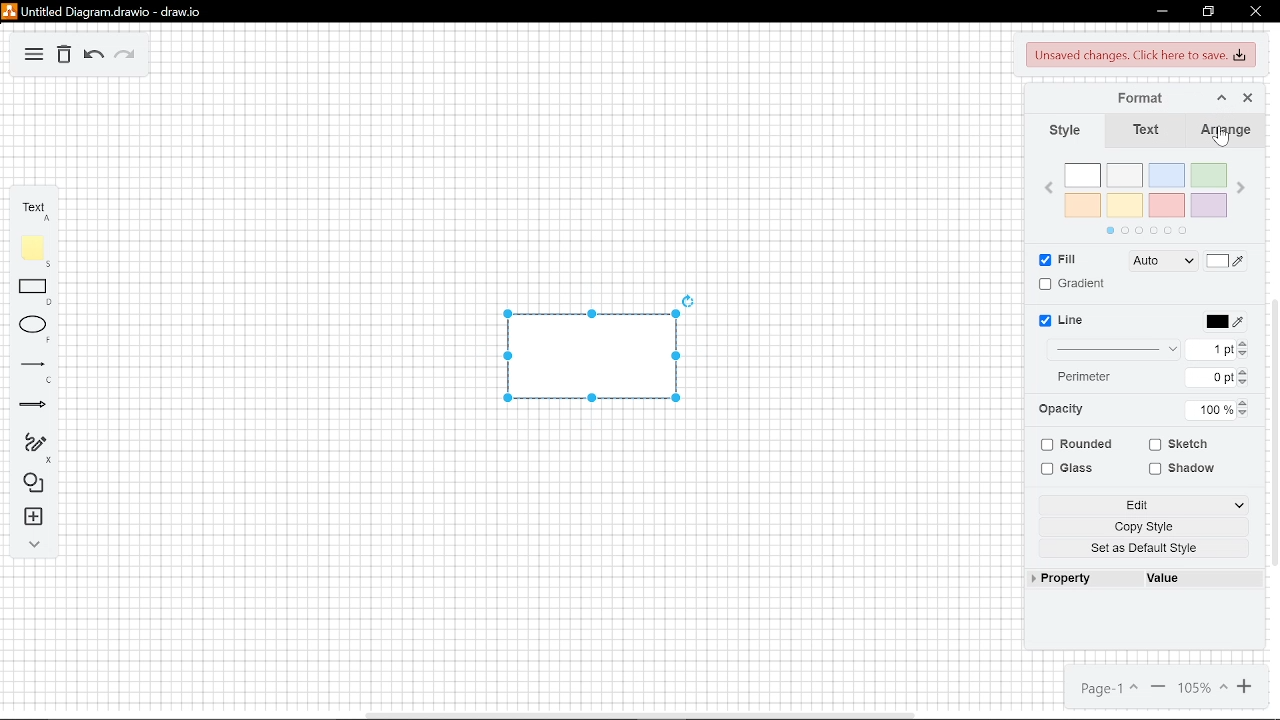  Describe the element at coordinates (1146, 527) in the screenshot. I see `copy style` at that location.